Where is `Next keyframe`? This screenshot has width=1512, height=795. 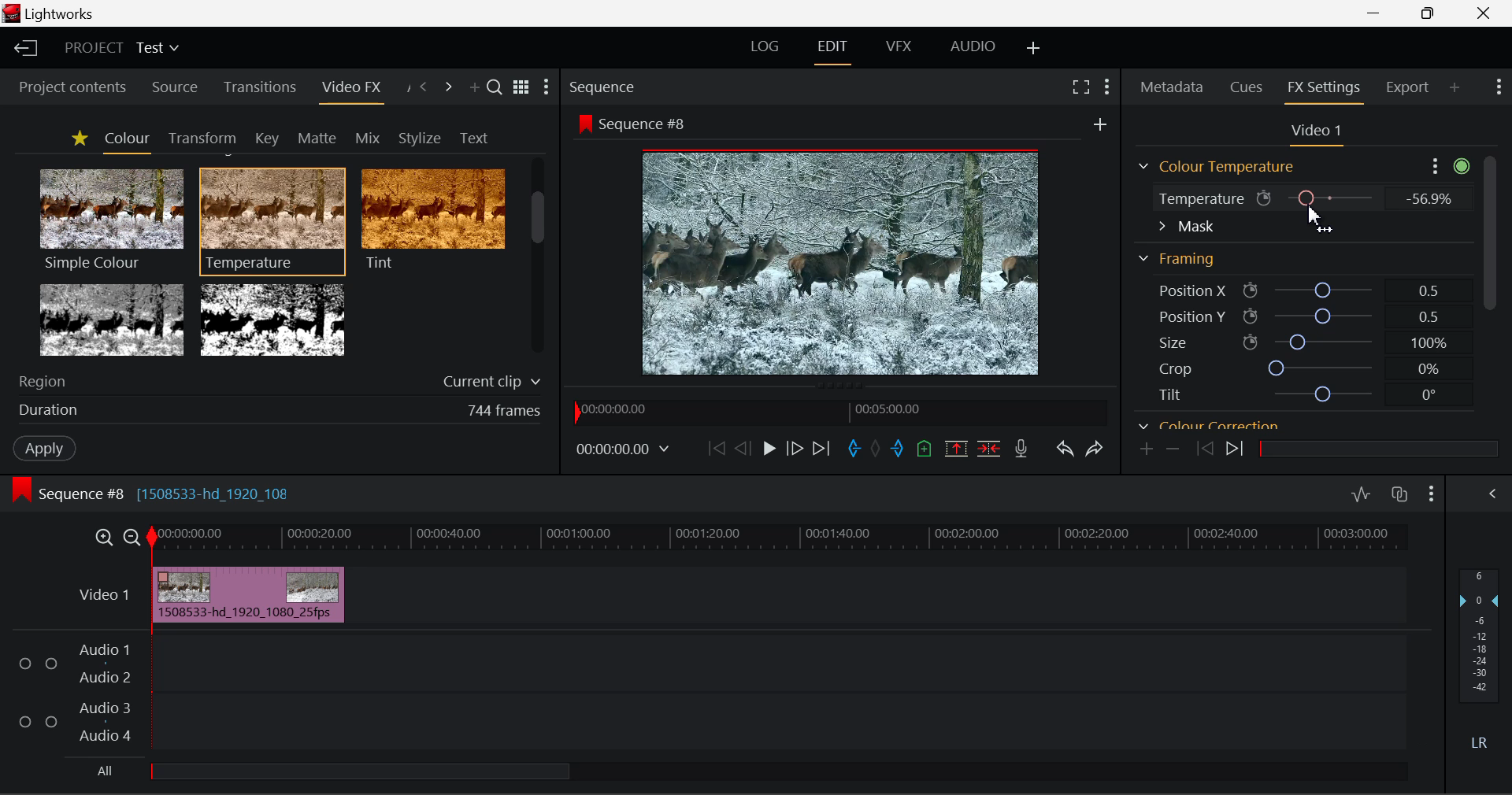 Next keyframe is located at coordinates (1236, 451).